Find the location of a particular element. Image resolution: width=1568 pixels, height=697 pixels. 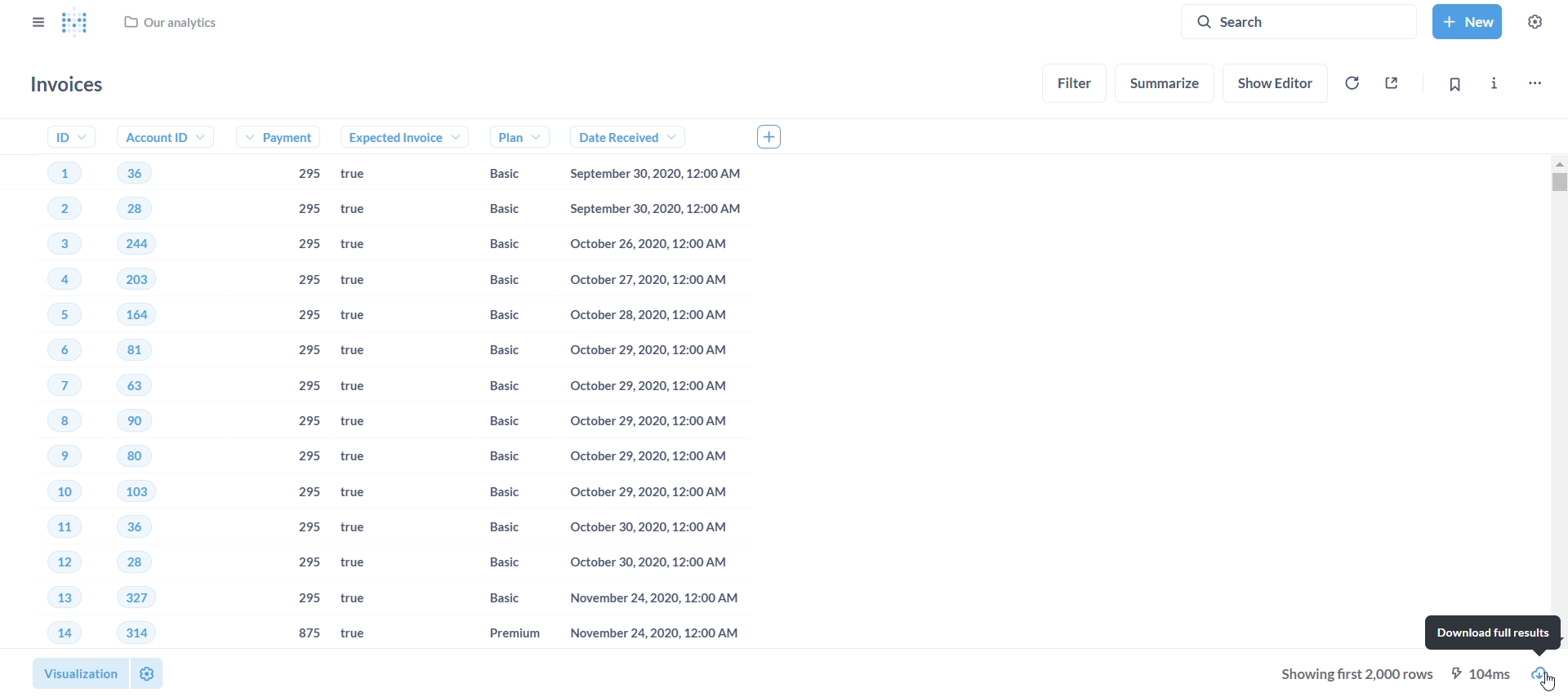

account ID is located at coordinates (159, 137).